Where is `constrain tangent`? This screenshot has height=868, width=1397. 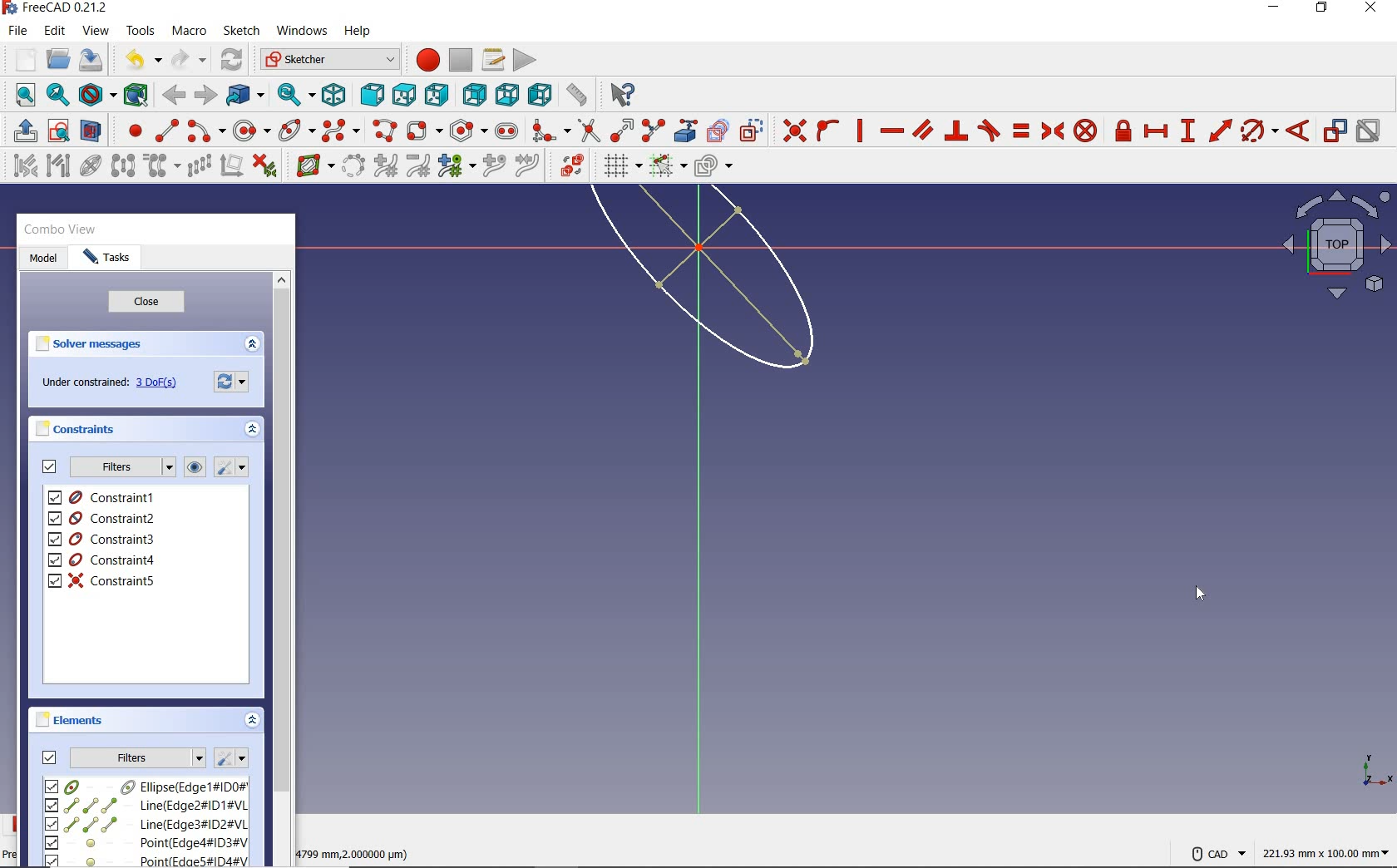 constrain tangent is located at coordinates (990, 129).